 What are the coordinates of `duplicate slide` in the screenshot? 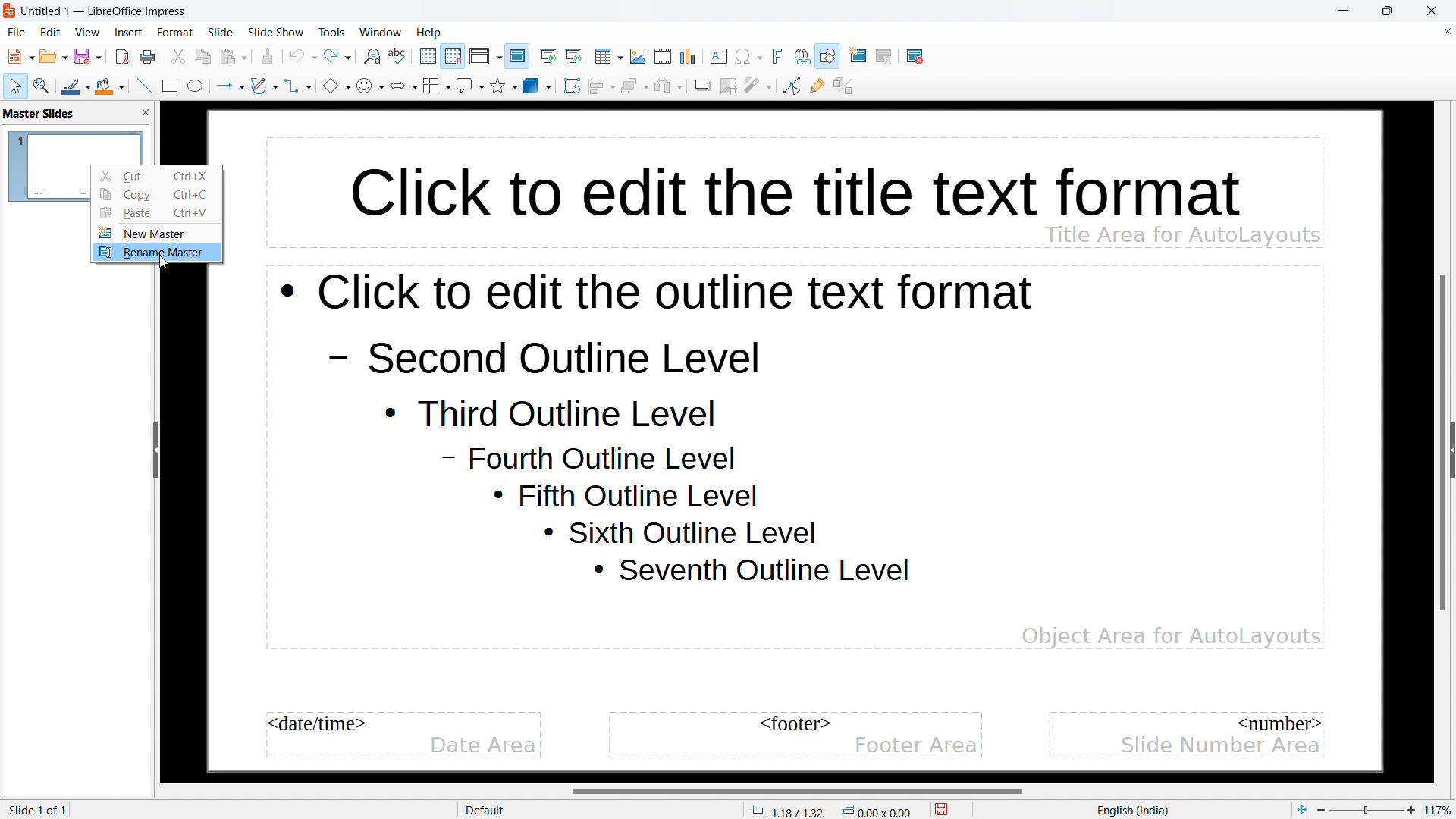 It's located at (893, 57).